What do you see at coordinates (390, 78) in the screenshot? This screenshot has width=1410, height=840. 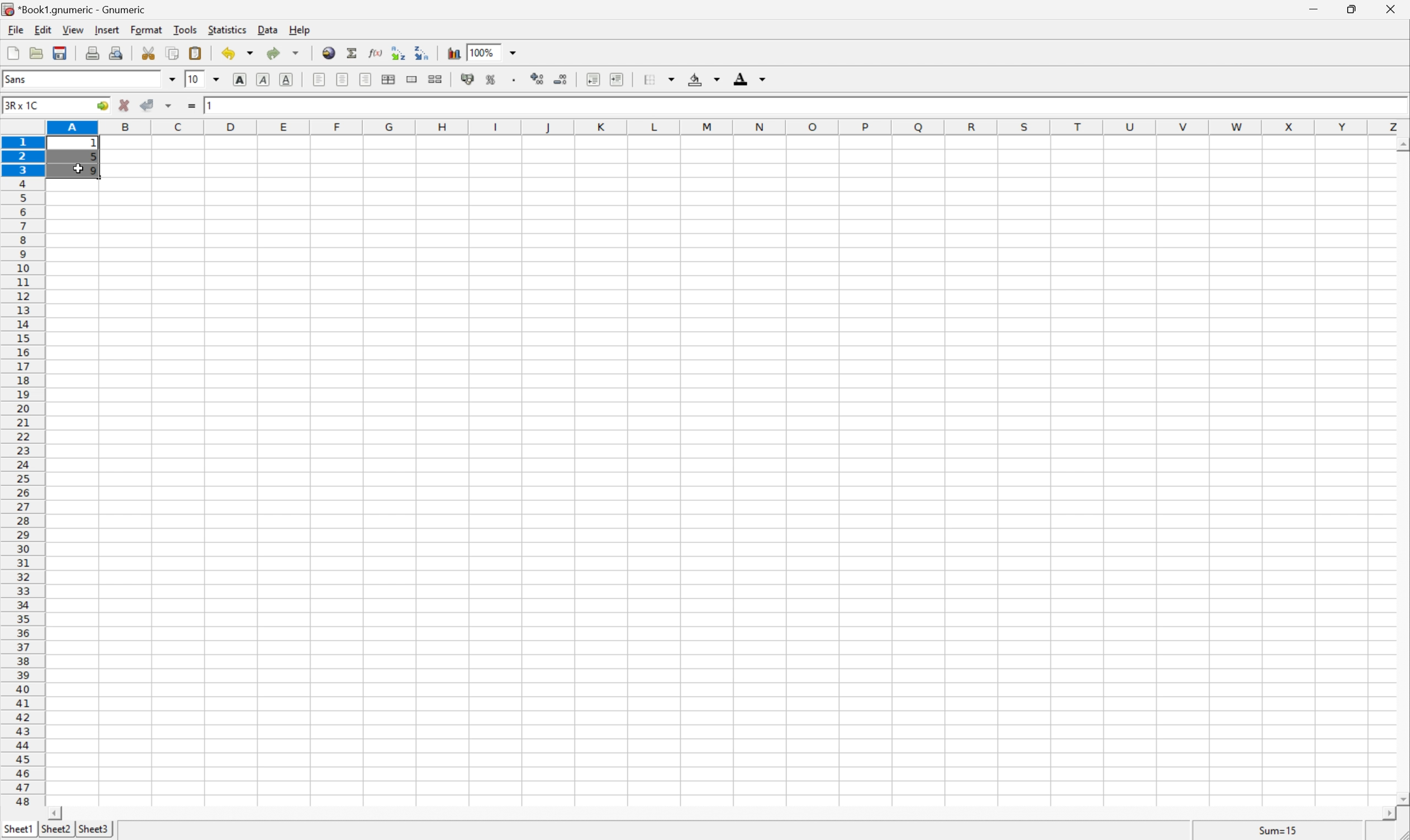 I see `center horizontally` at bounding box center [390, 78].